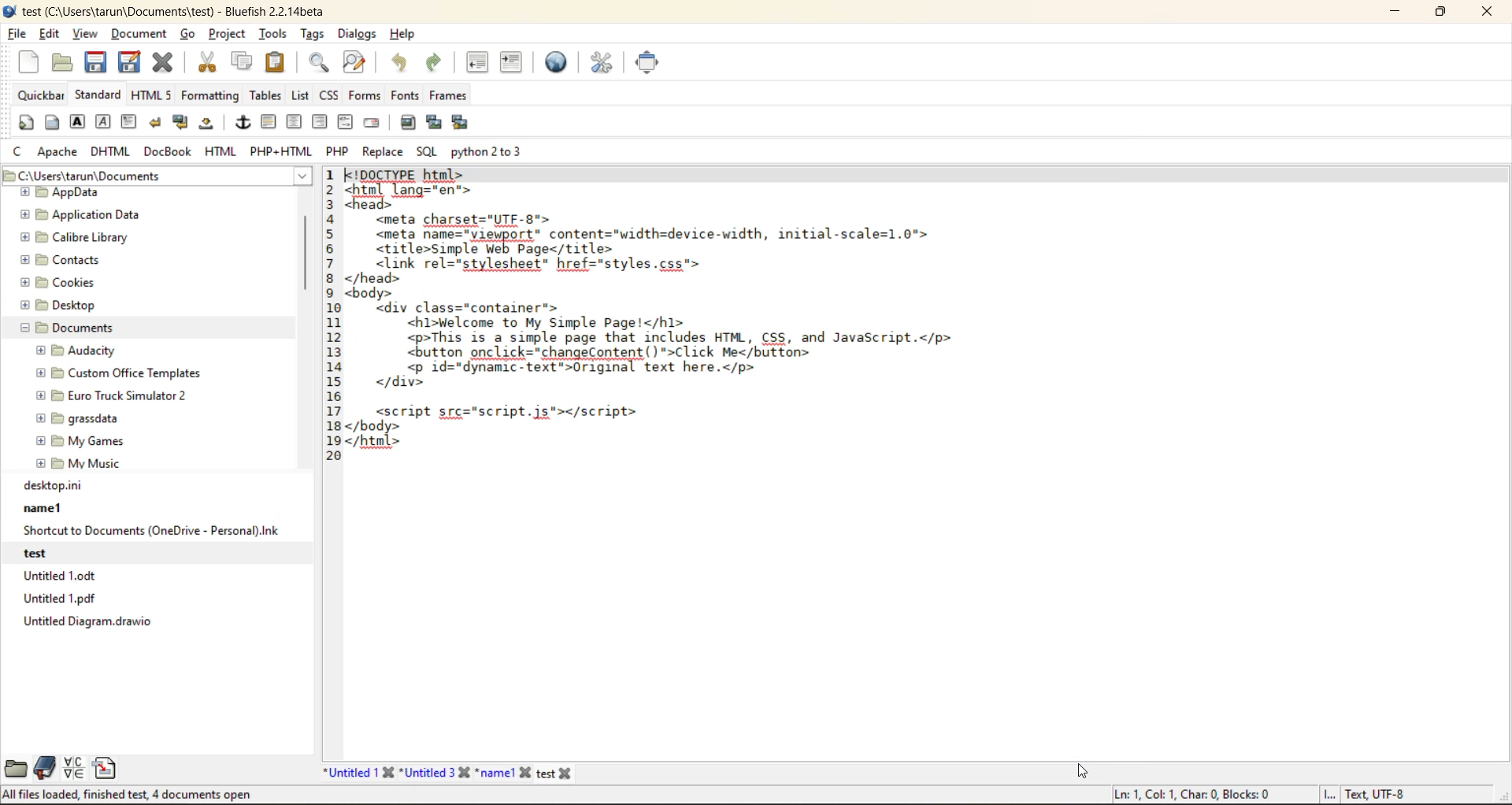  I want to click on file browser, so click(14, 768).